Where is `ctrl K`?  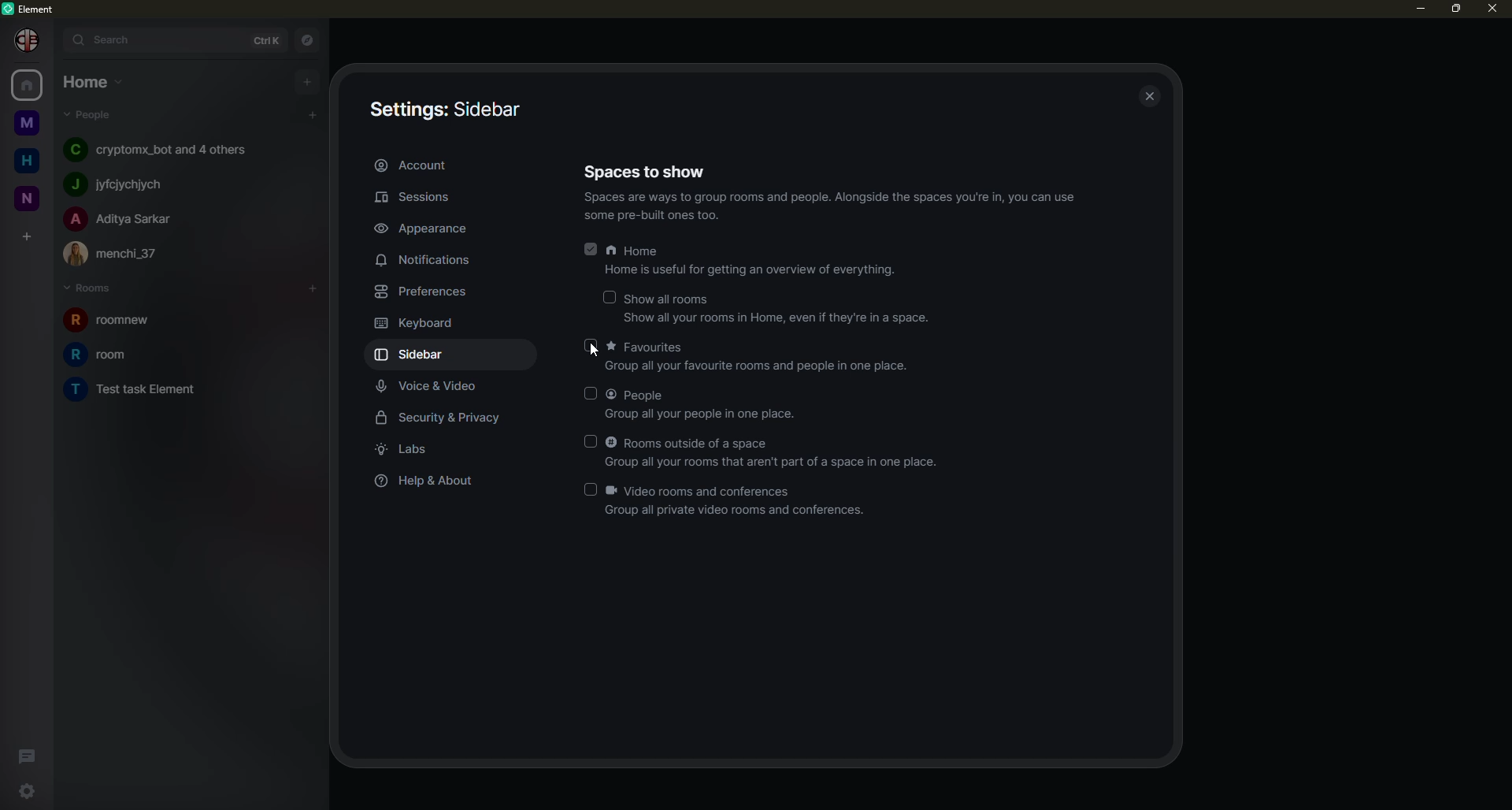 ctrl K is located at coordinates (261, 39).